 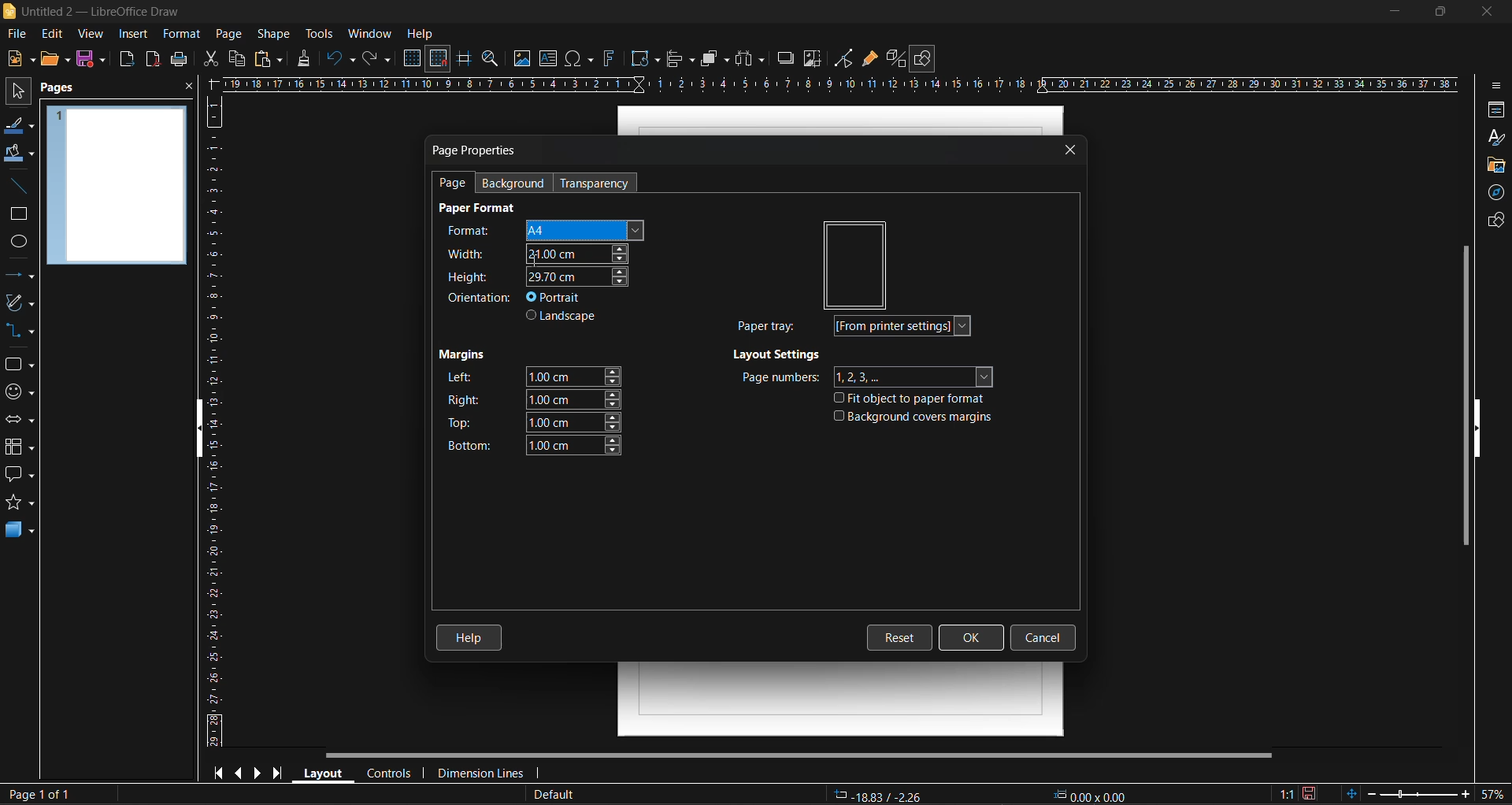 What do you see at coordinates (22, 420) in the screenshot?
I see `block arrows` at bounding box center [22, 420].